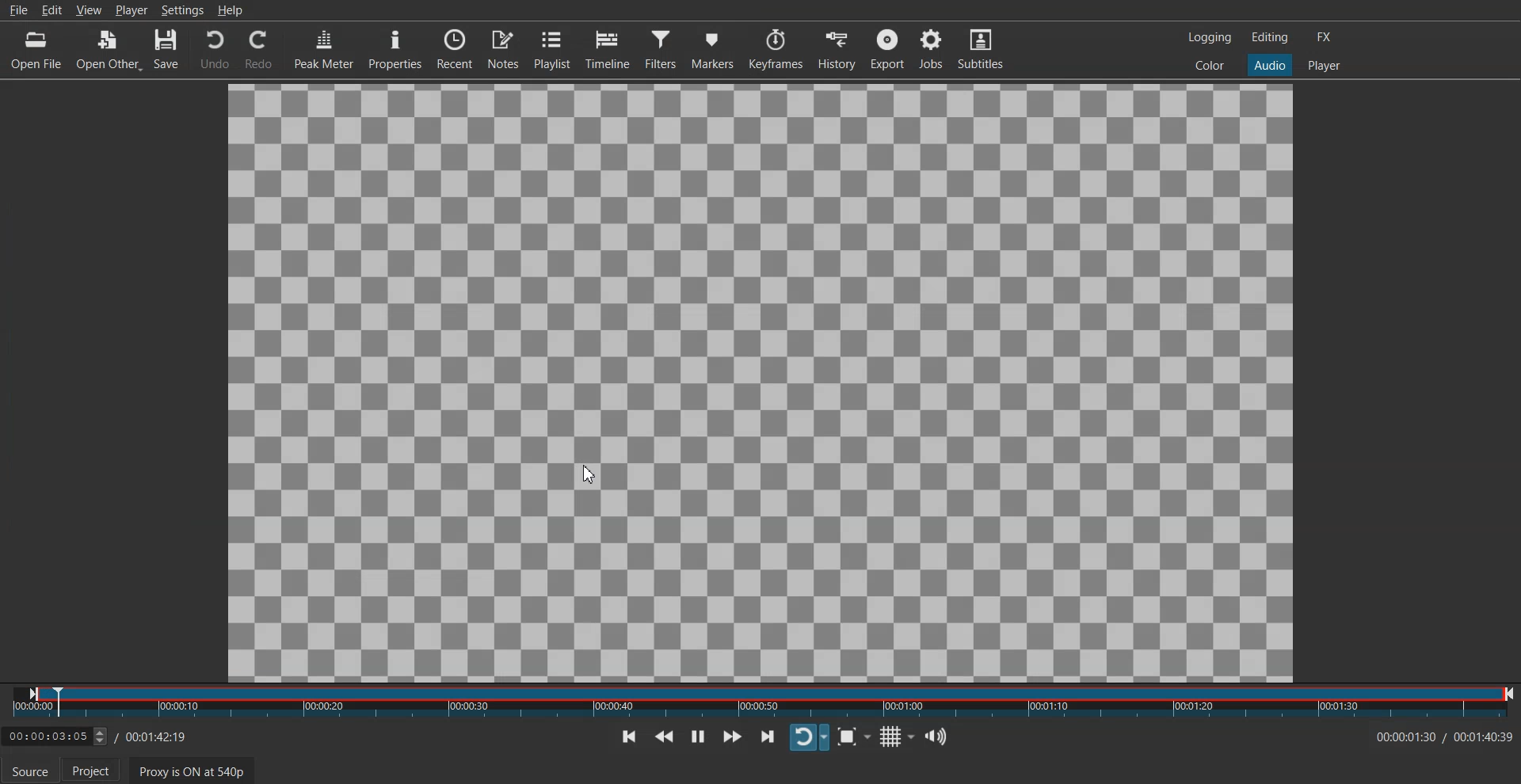 This screenshot has width=1521, height=784. What do you see at coordinates (1270, 37) in the screenshot?
I see `Editing` at bounding box center [1270, 37].